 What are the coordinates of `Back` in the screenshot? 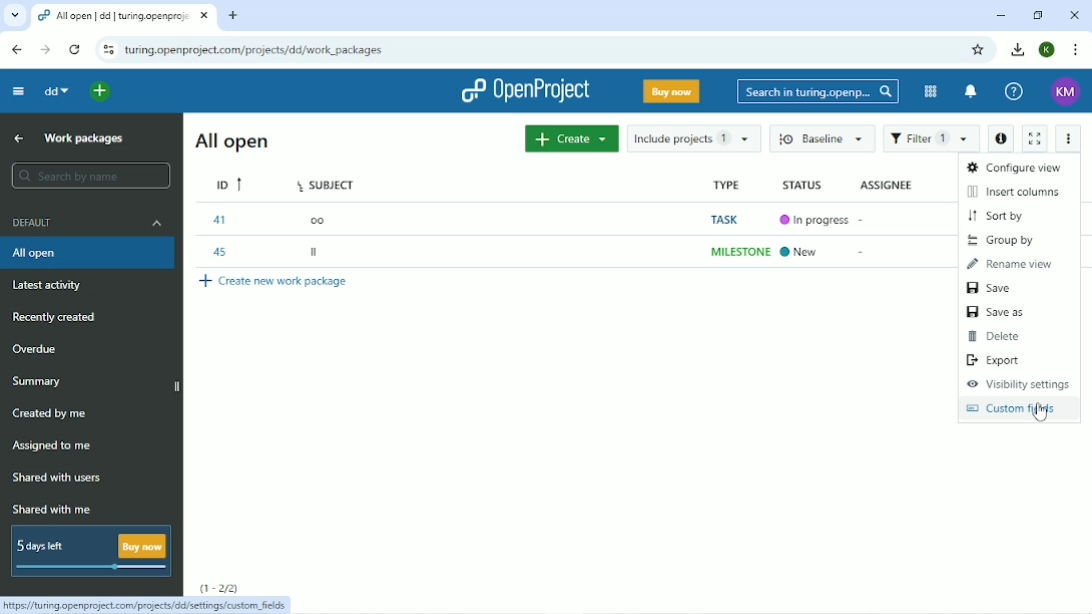 It's located at (18, 50).